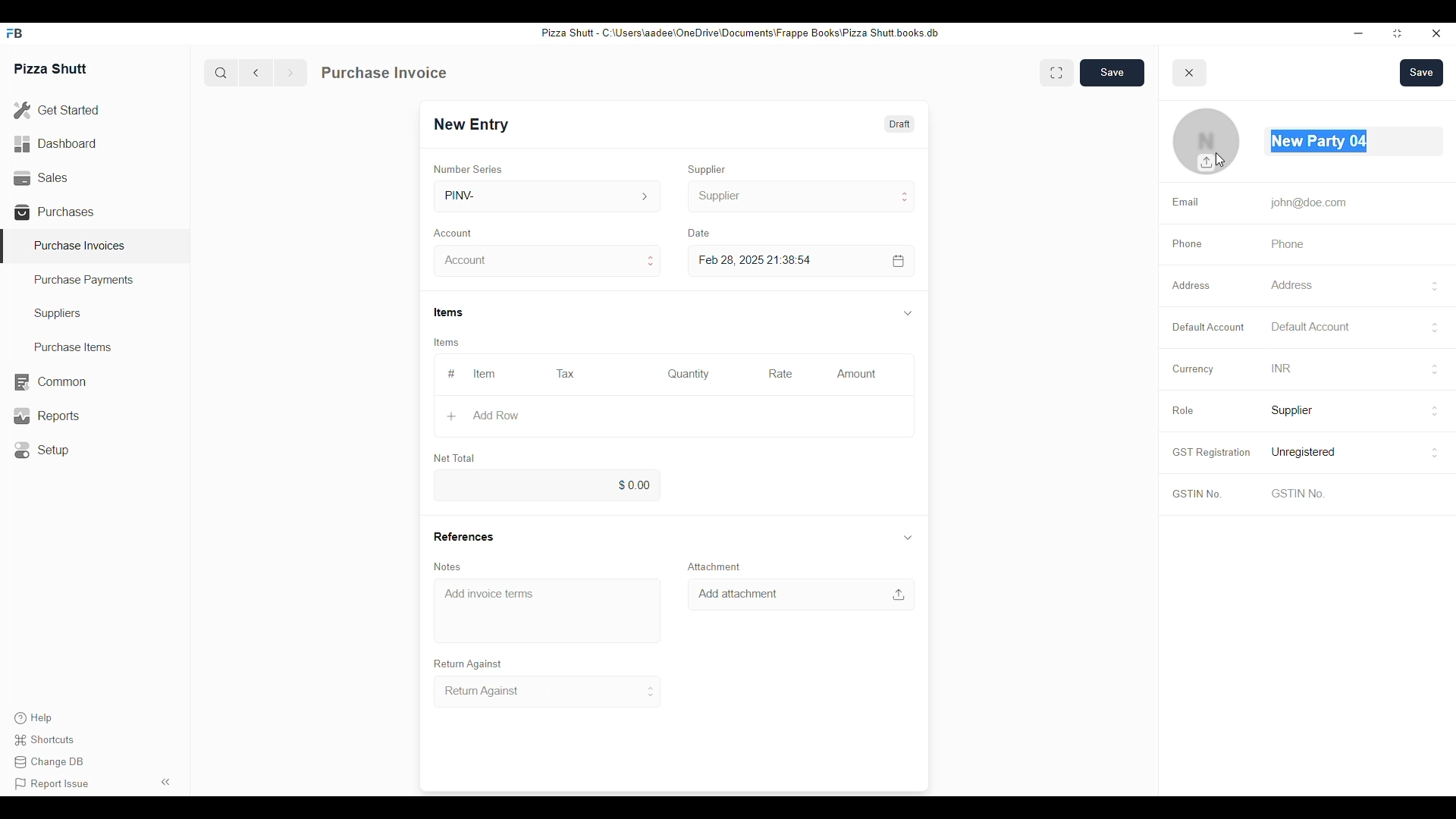 This screenshot has width=1456, height=819. What do you see at coordinates (1296, 493) in the screenshot?
I see `GSTIN No` at bounding box center [1296, 493].